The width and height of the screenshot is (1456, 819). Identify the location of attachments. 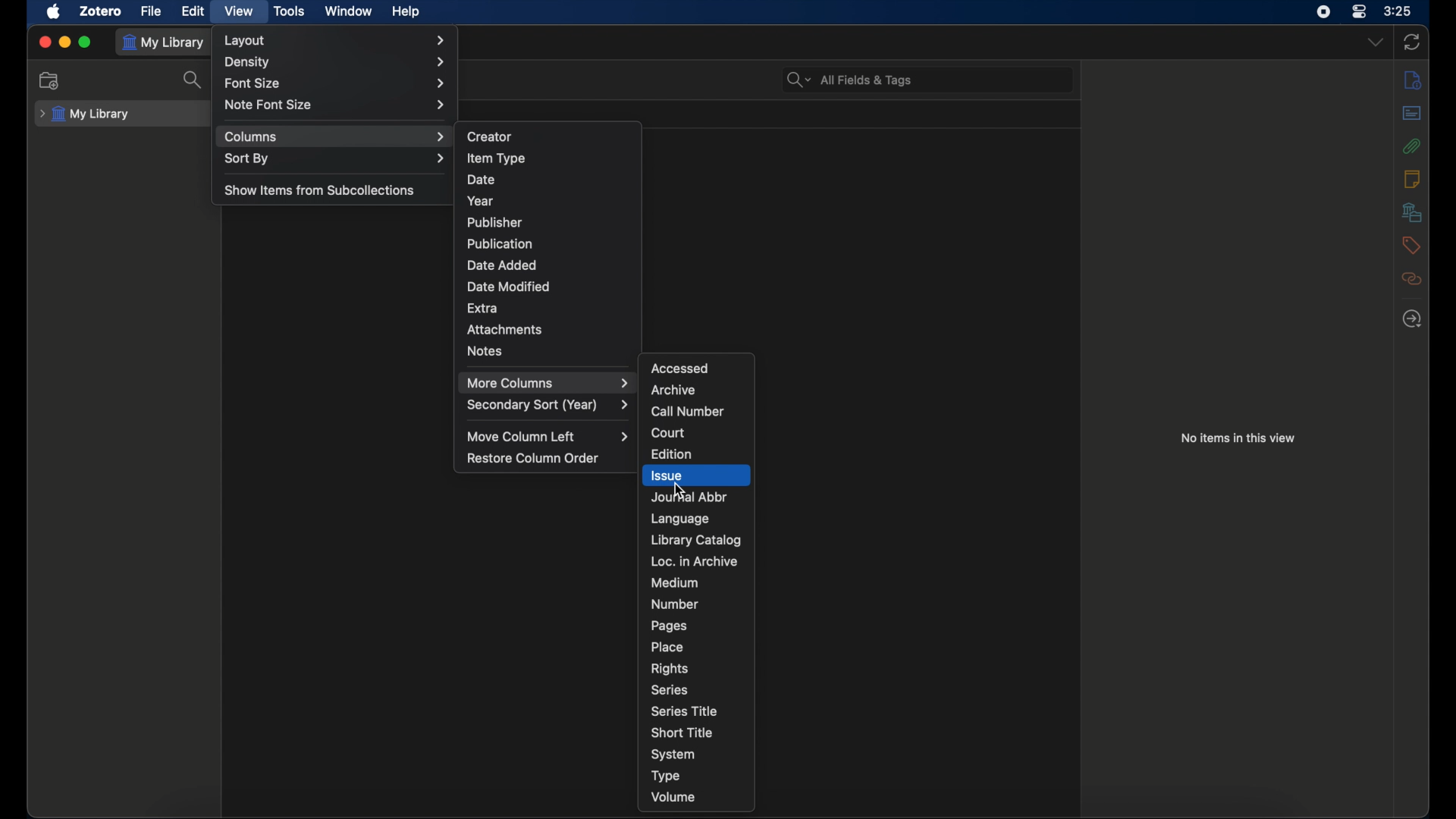
(505, 329).